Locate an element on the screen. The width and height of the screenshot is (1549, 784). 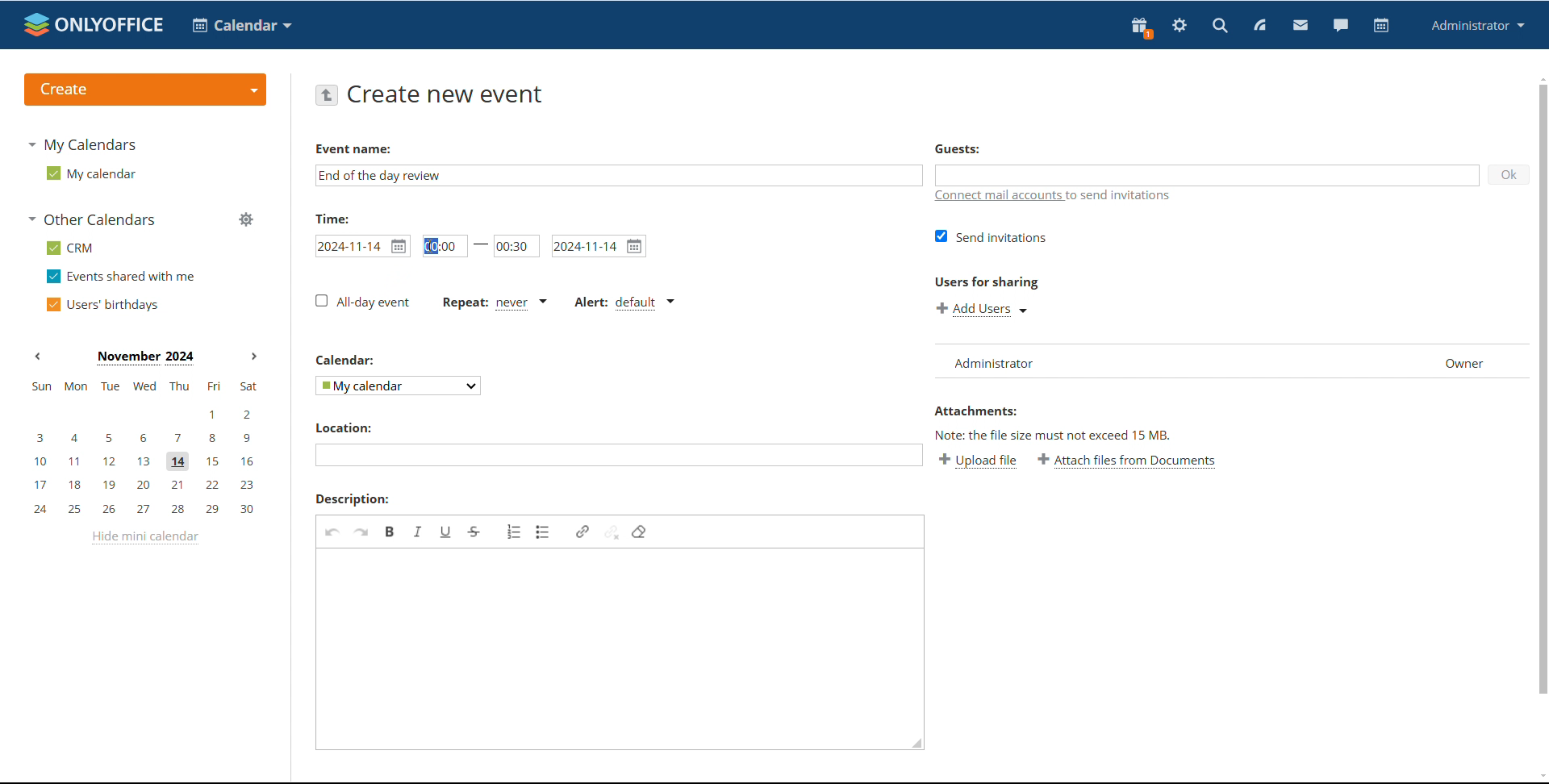
Attachments is located at coordinates (975, 411).